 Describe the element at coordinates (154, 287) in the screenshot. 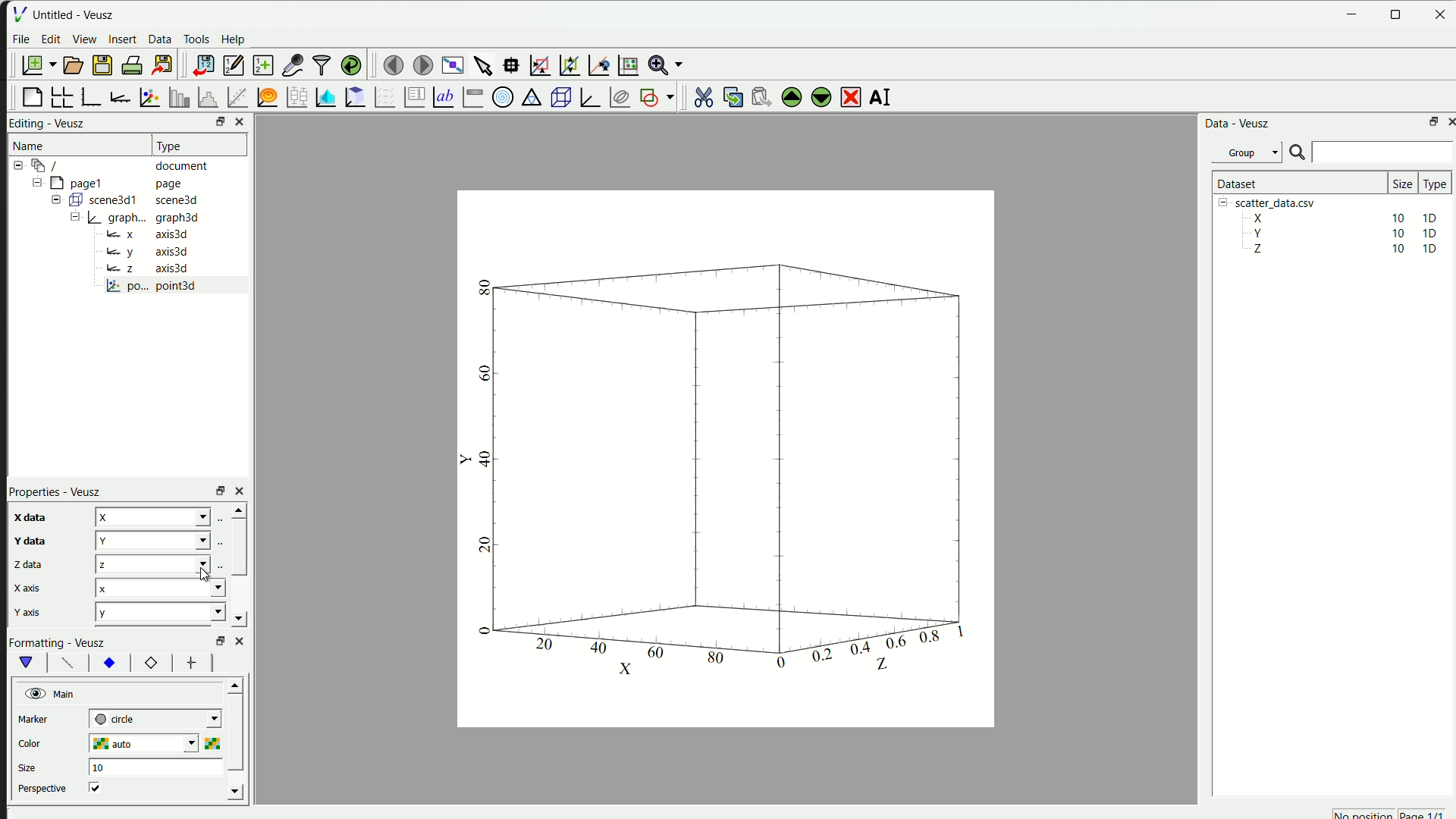

I see `po... point3d` at that location.